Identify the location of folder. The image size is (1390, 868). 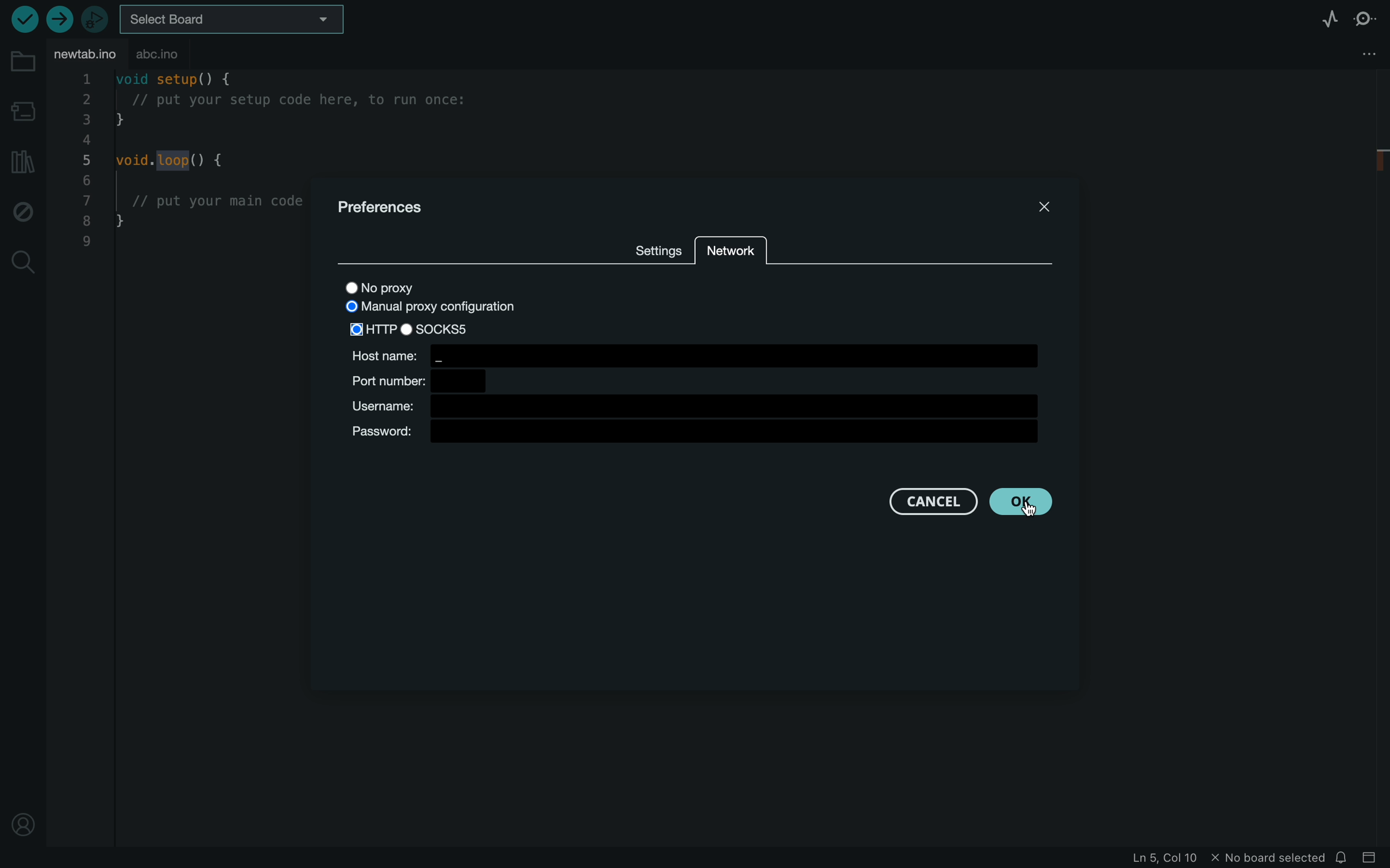
(22, 63).